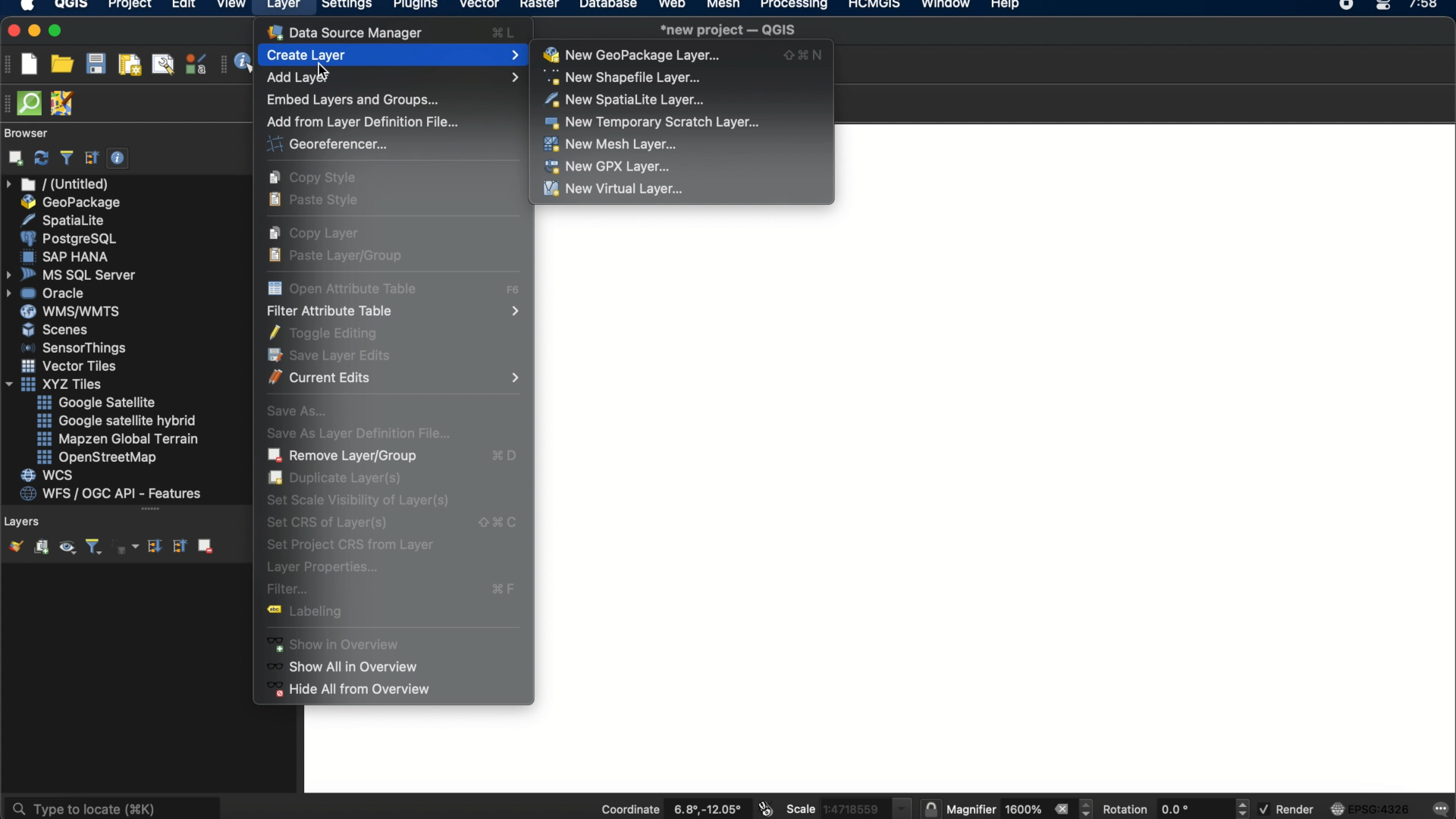 Image resolution: width=1456 pixels, height=819 pixels. I want to click on open attribute table, so click(394, 287).